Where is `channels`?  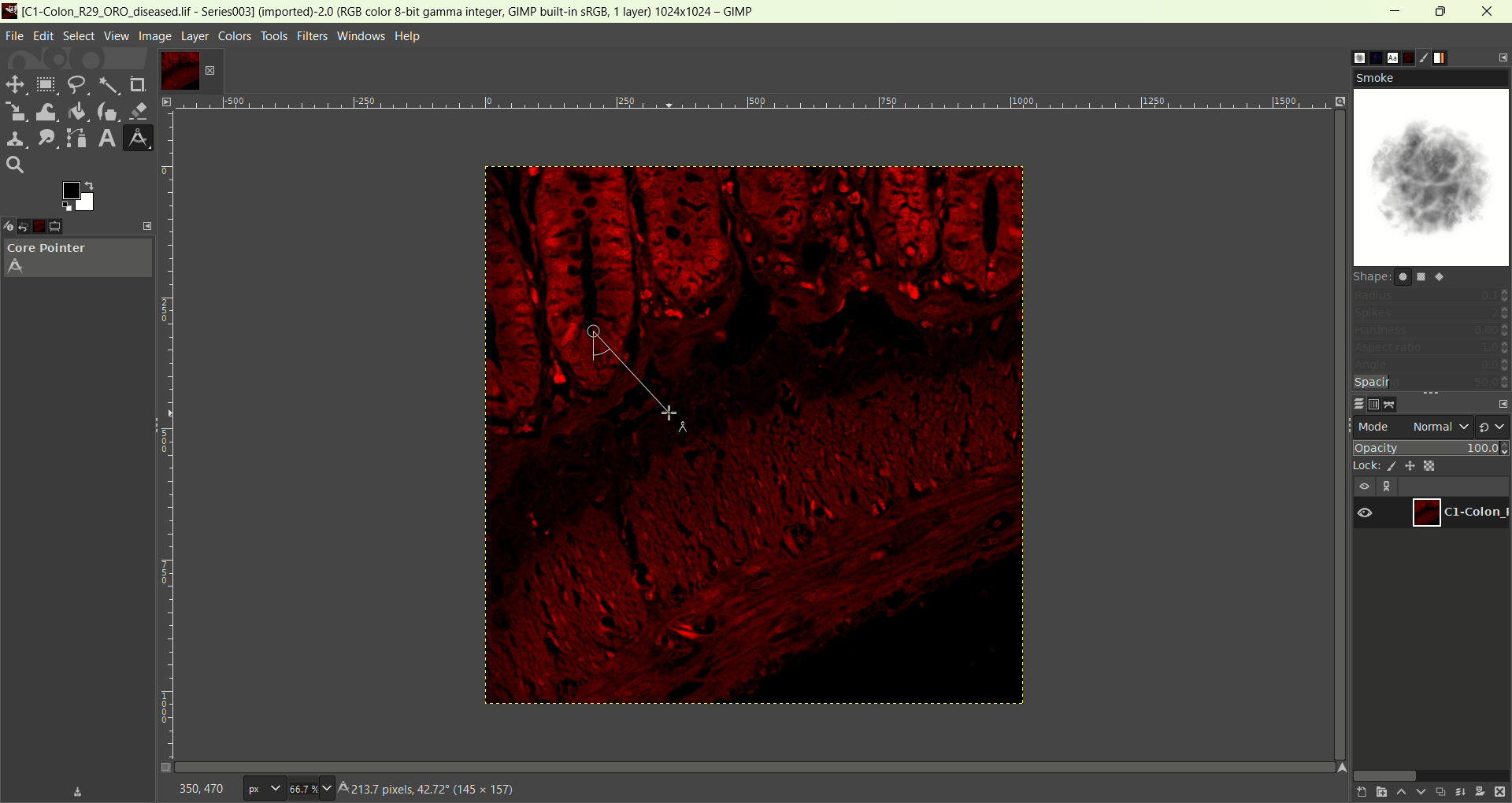 channels is located at coordinates (1374, 405).